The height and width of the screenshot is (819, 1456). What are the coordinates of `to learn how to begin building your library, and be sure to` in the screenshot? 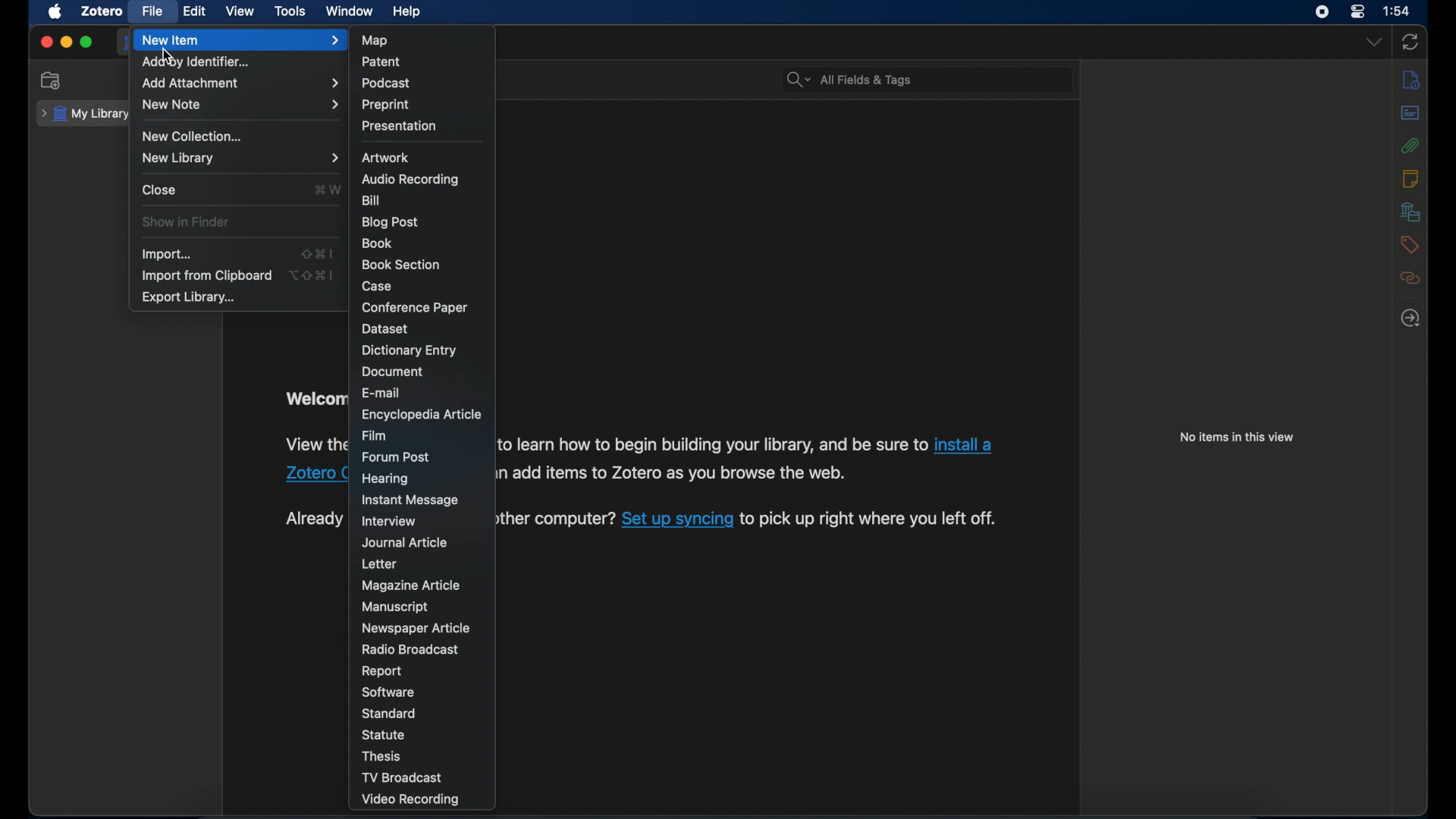 It's located at (713, 444).